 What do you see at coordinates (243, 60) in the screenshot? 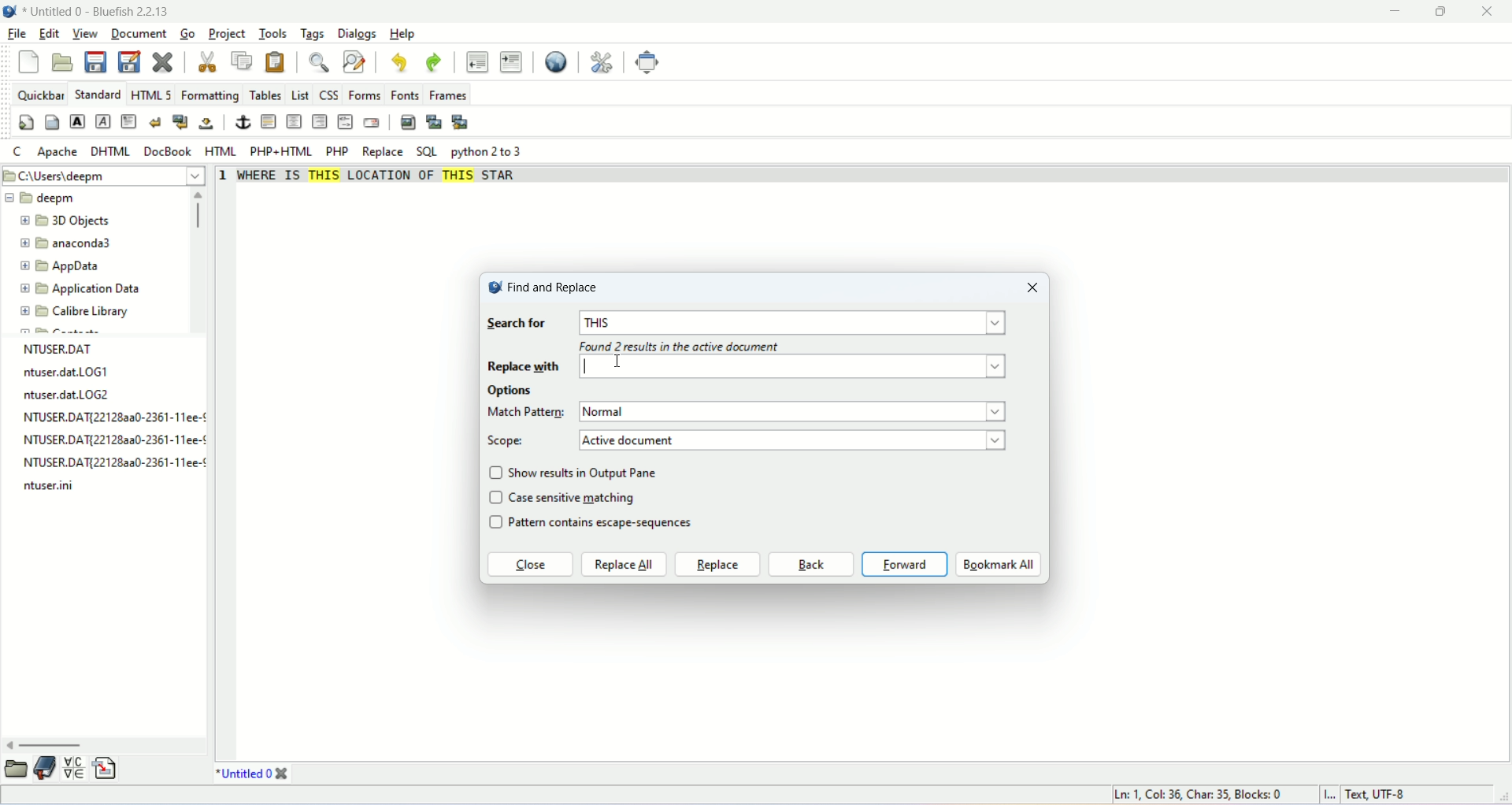
I see `copy` at bounding box center [243, 60].